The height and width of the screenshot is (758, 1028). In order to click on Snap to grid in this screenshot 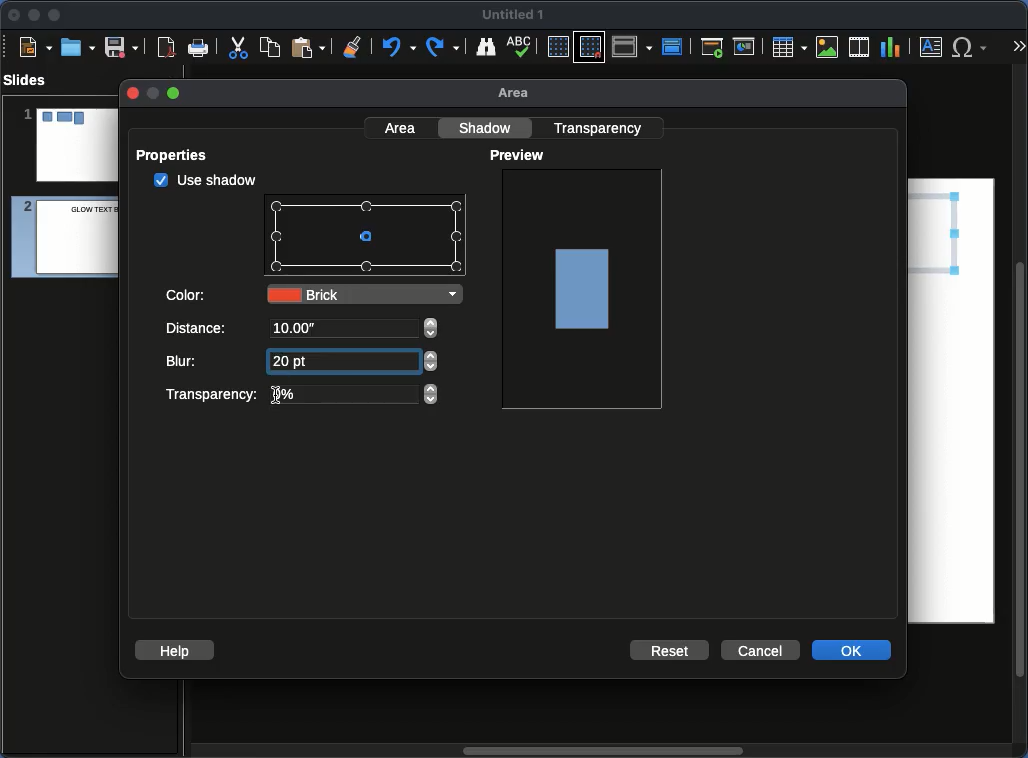, I will do `click(592, 46)`.